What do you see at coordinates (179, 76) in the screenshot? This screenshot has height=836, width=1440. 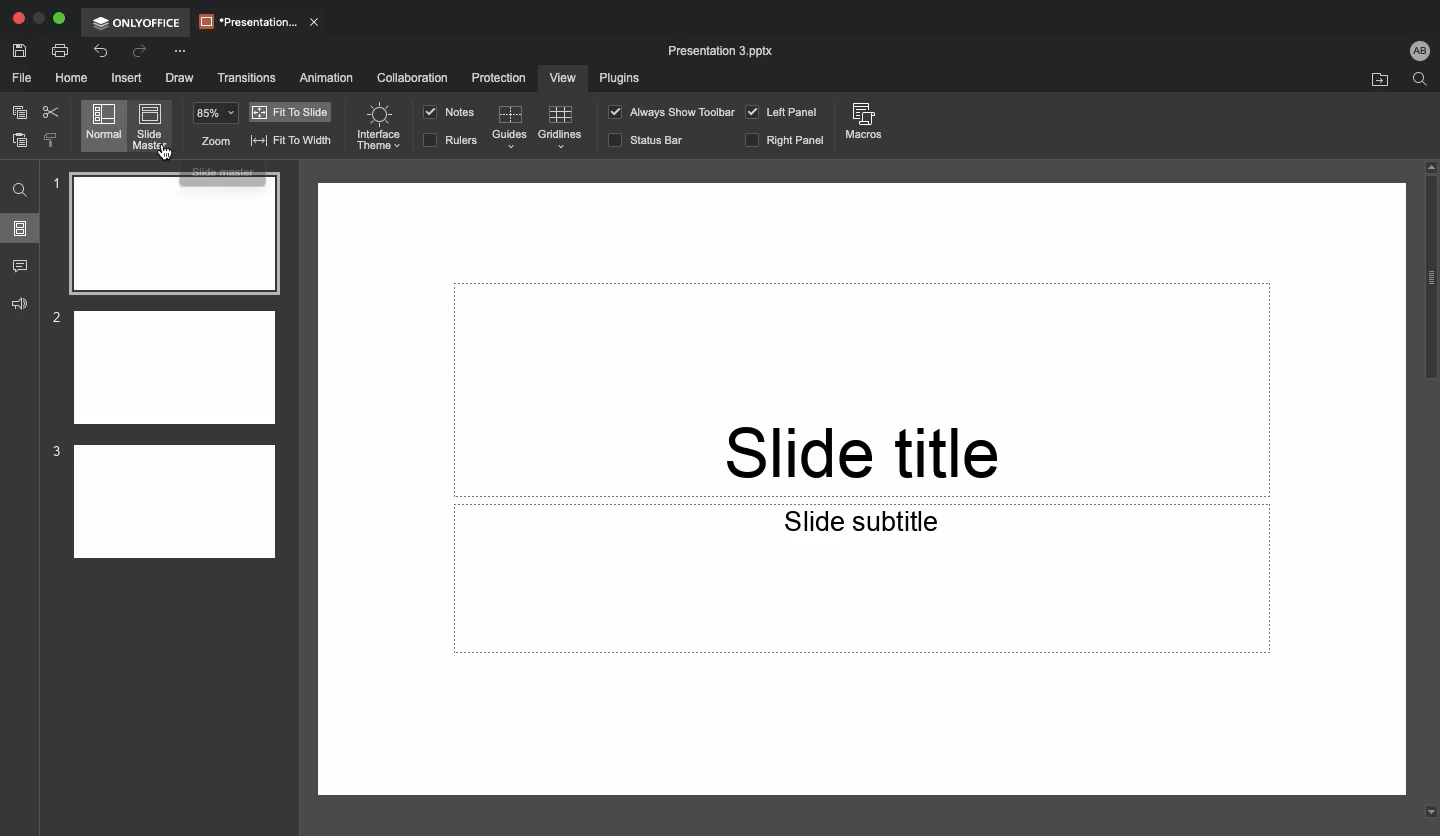 I see `Draw` at bounding box center [179, 76].